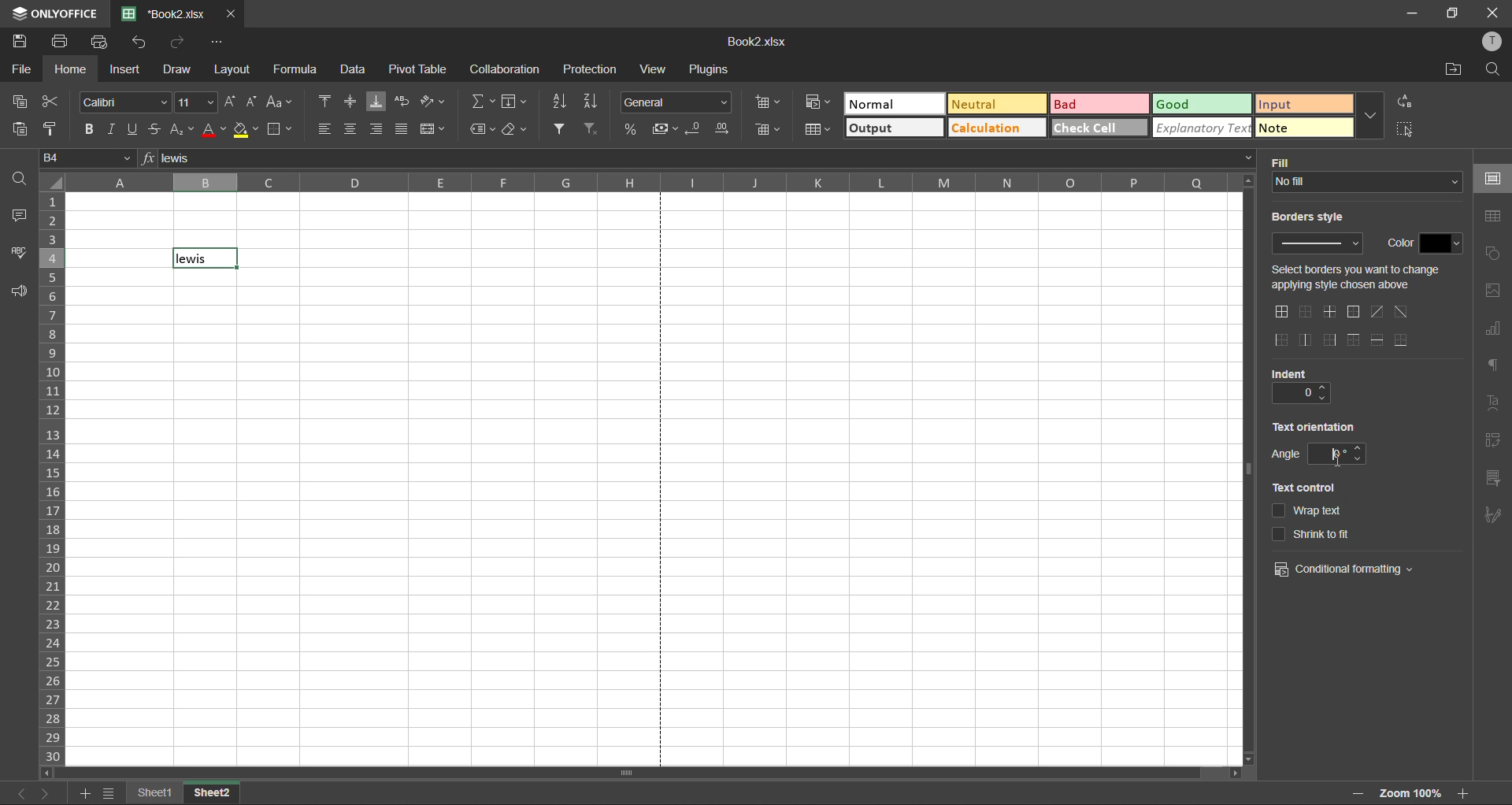 The image size is (1512, 805). Describe the element at coordinates (1492, 518) in the screenshot. I see `signature` at that location.